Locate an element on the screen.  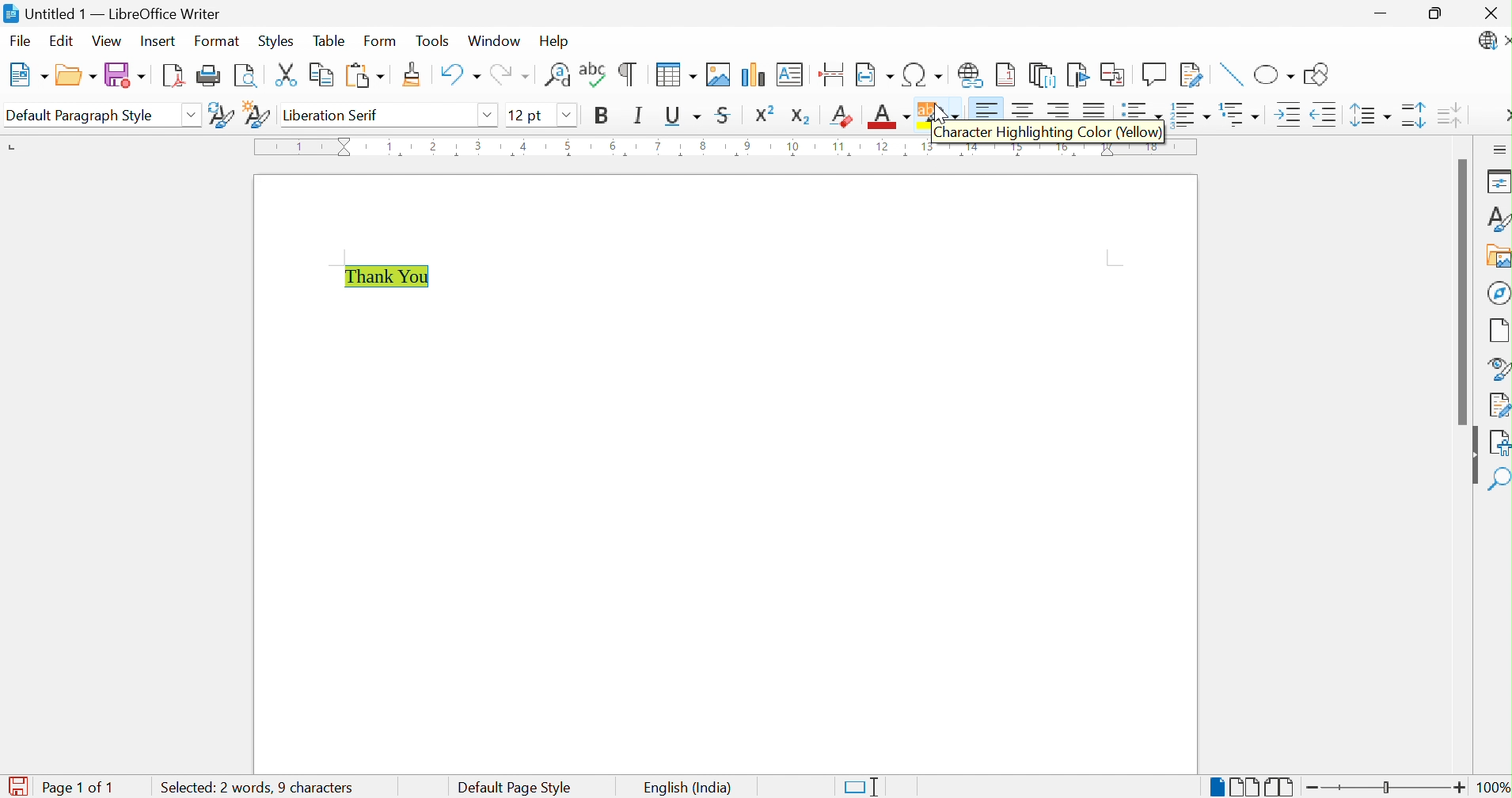
Find is located at coordinates (1499, 481).